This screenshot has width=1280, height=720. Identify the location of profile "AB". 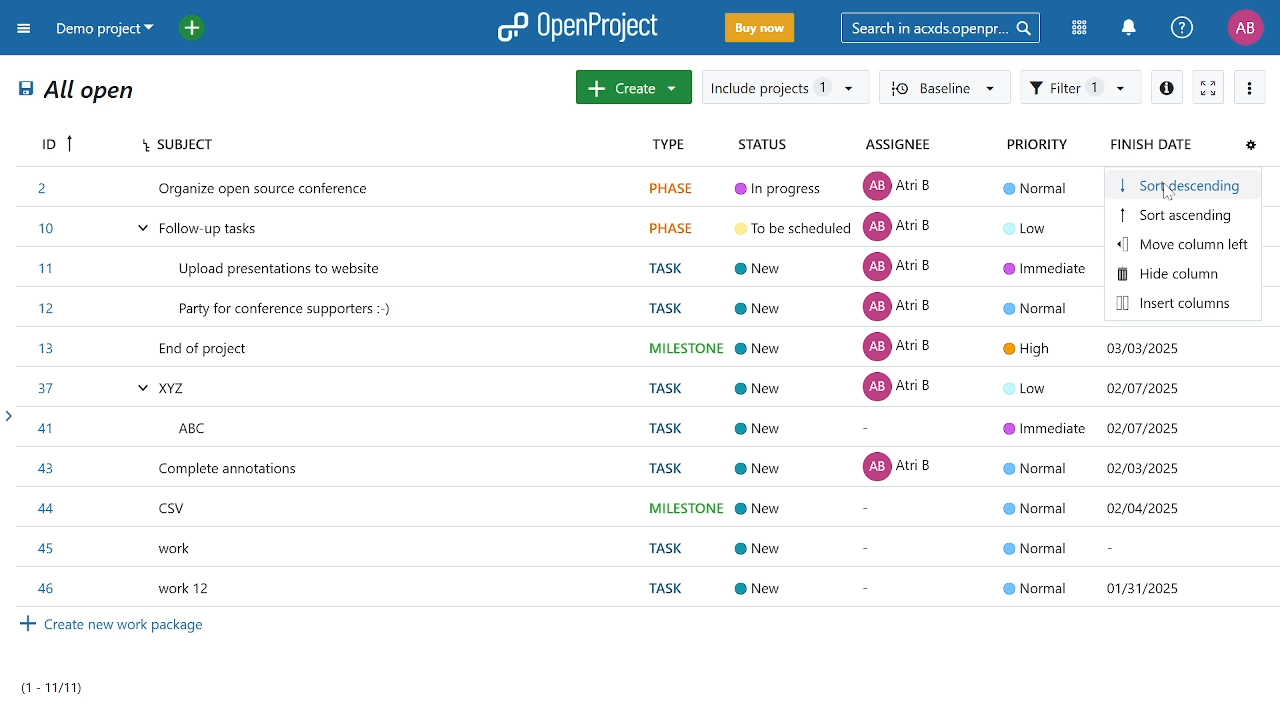
(1246, 28).